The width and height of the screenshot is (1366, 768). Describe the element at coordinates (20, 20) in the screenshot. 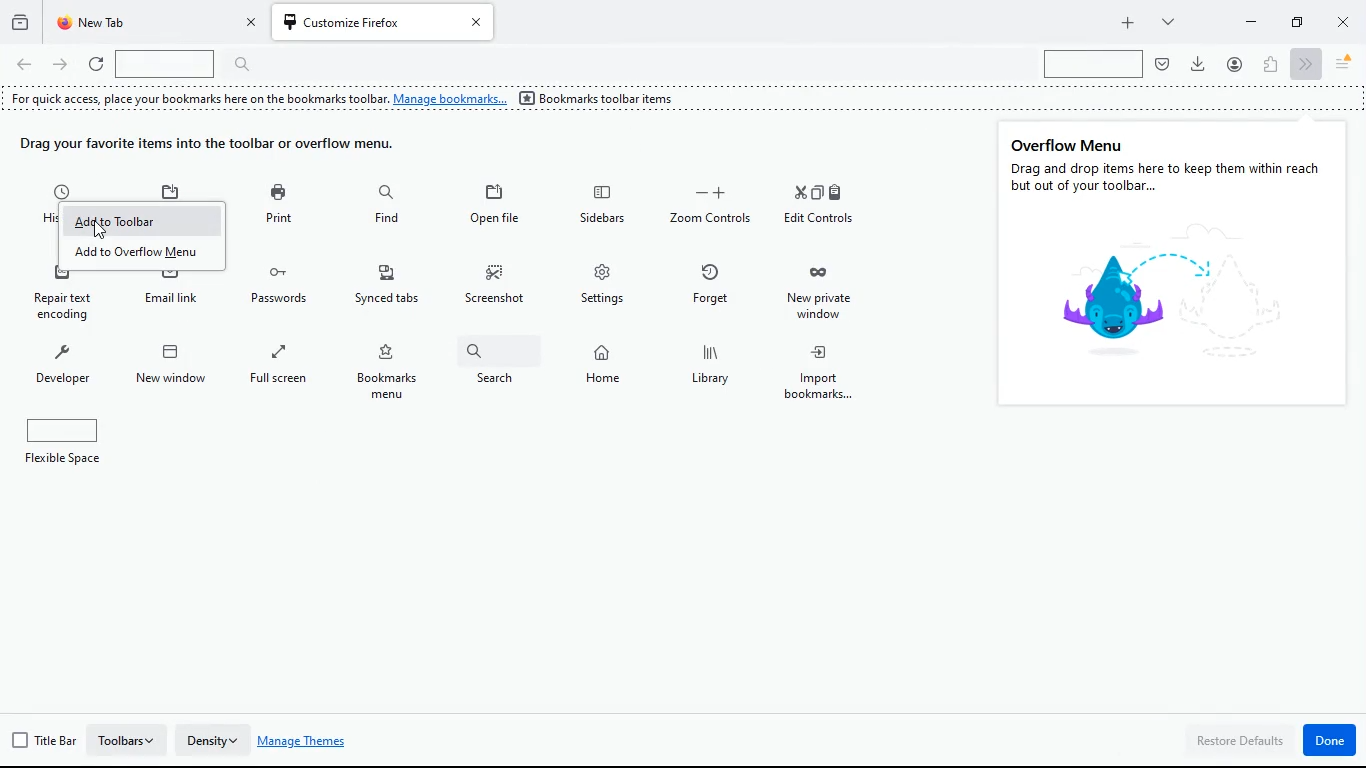

I see `history` at that location.